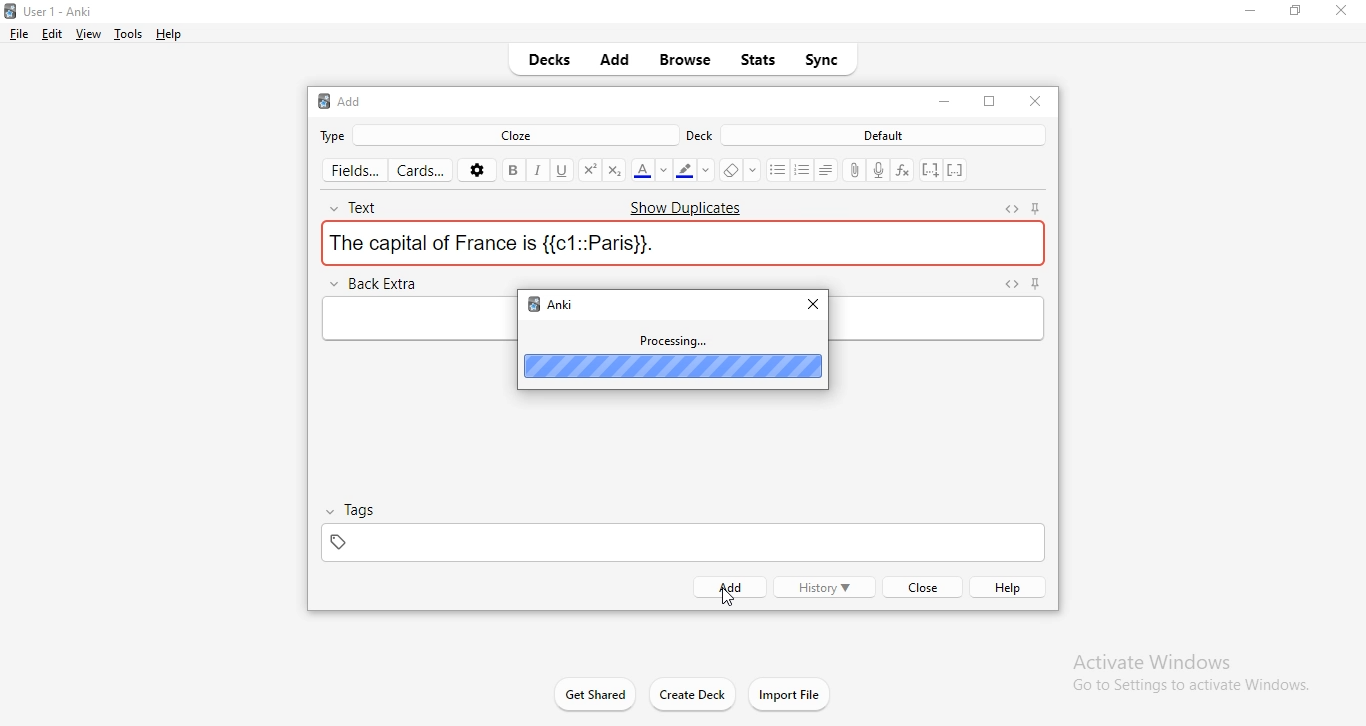 The image size is (1366, 726). Describe the element at coordinates (700, 136) in the screenshot. I see `deck` at that location.